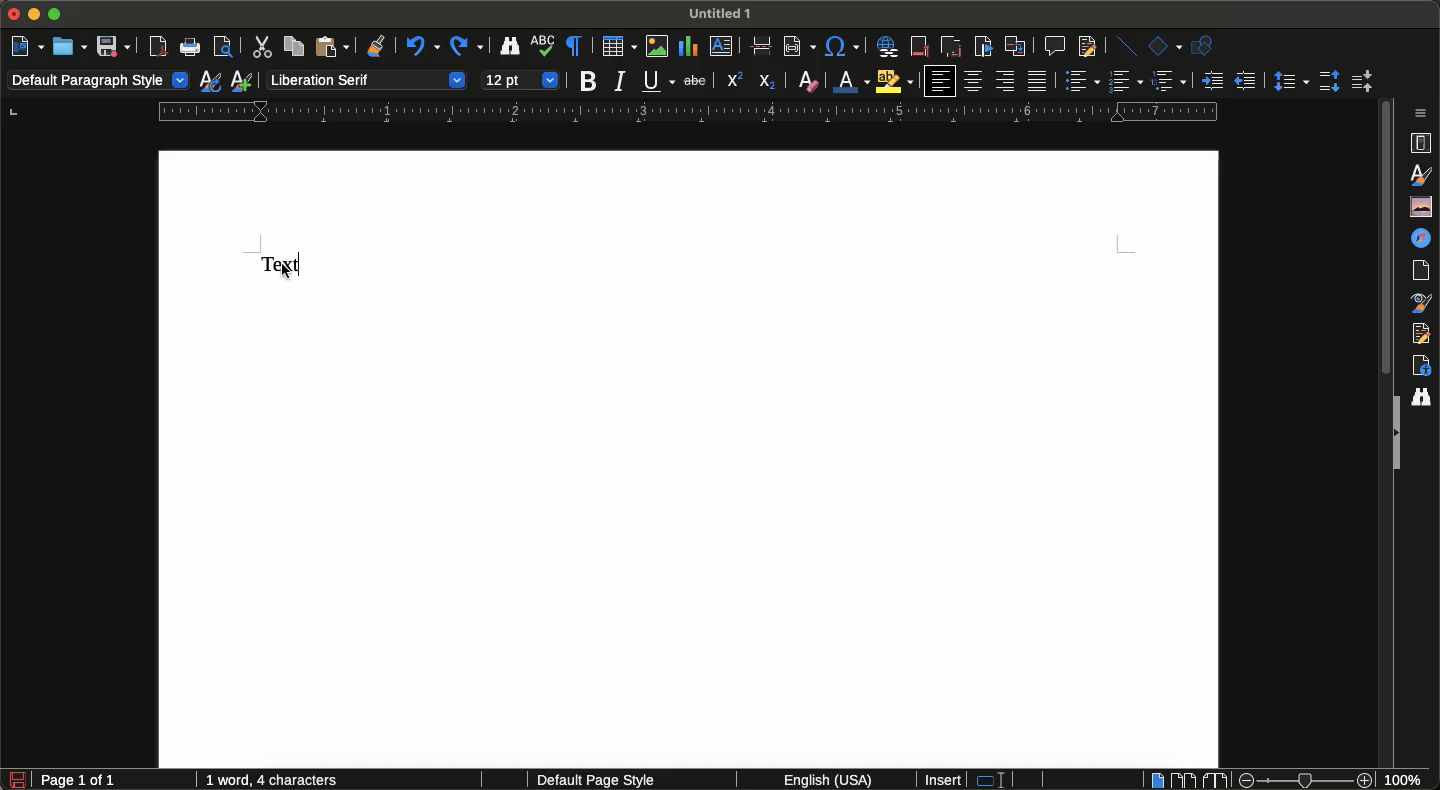  I want to click on Redo, so click(466, 47).